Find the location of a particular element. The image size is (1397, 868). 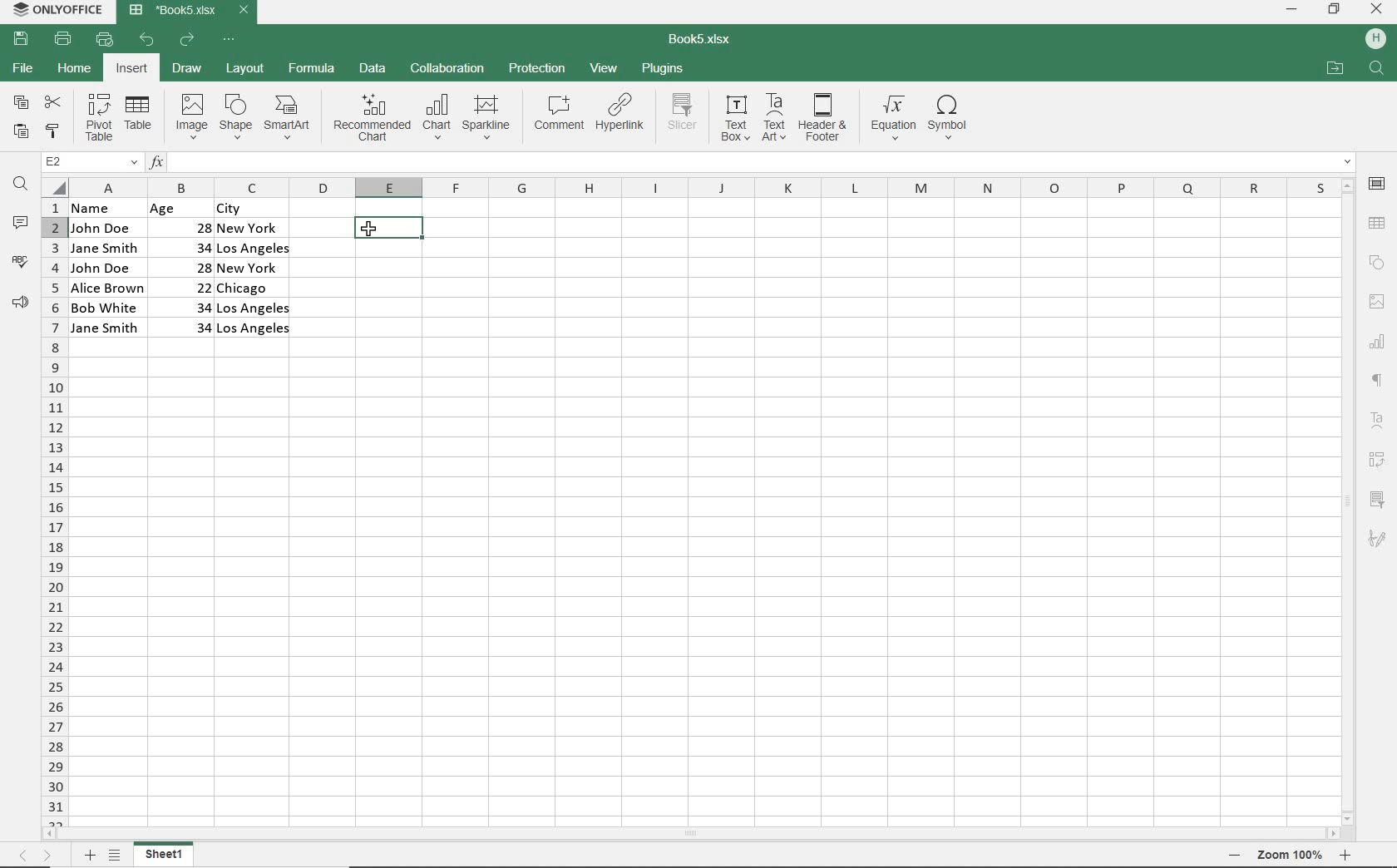

RECOMMENDED CHART is located at coordinates (371, 120).